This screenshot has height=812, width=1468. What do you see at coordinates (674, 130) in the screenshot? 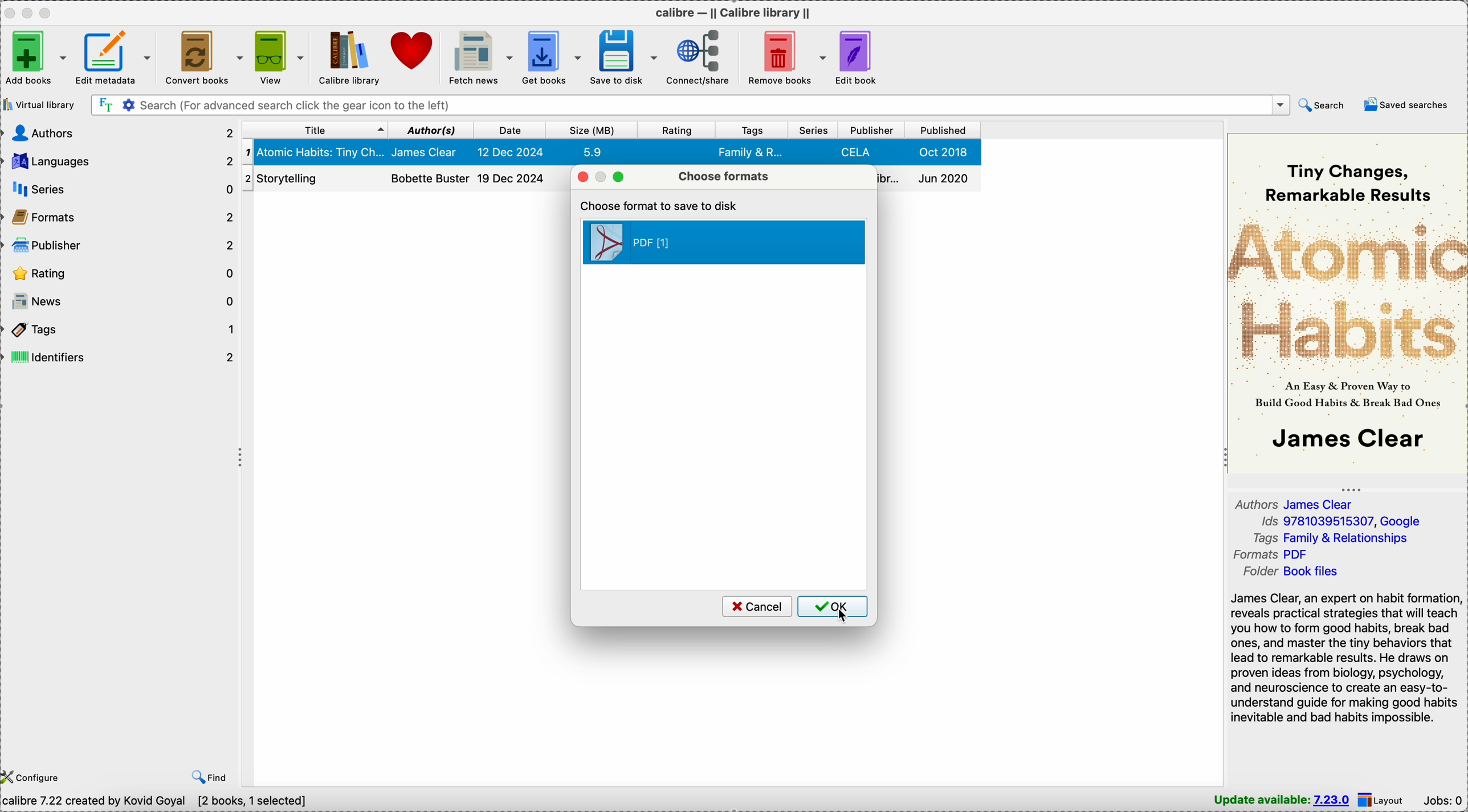
I see `rating` at bounding box center [674, 130].